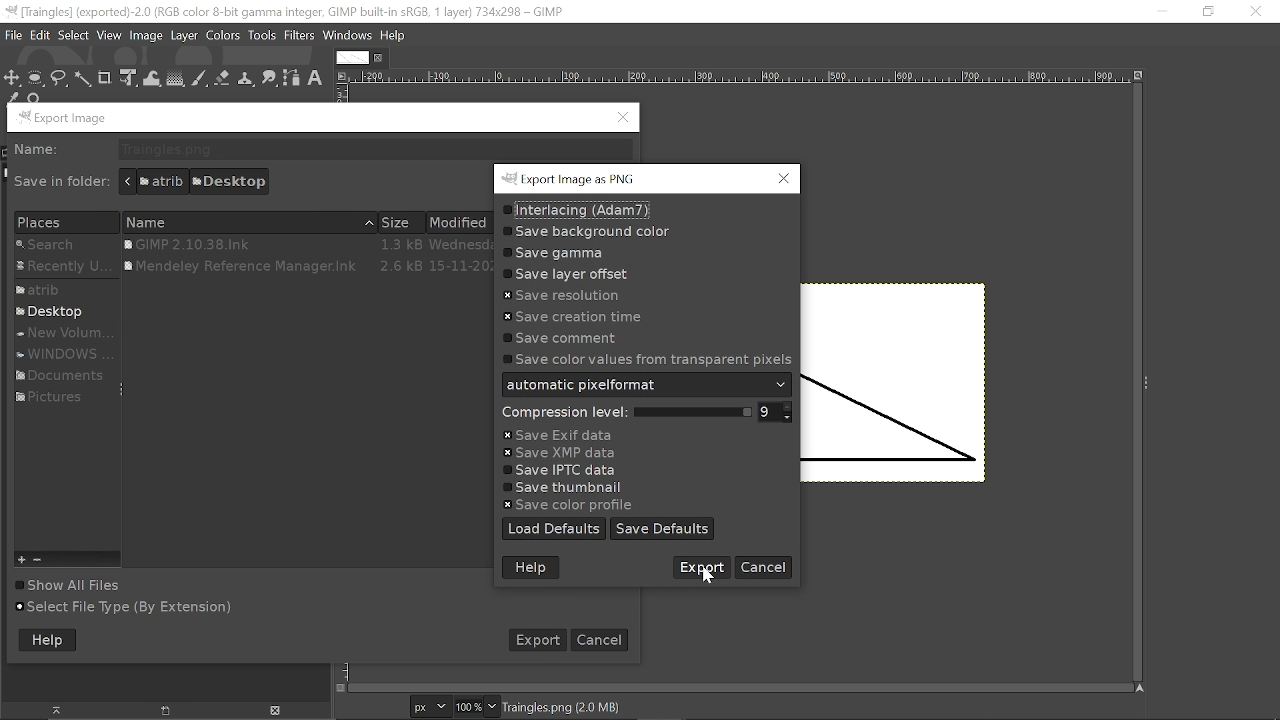 This screenshot has width=1280, height=720. Describe the element at coordinates (791, 417) in the screenshot. I see `Decrease compression lavel` at that location.